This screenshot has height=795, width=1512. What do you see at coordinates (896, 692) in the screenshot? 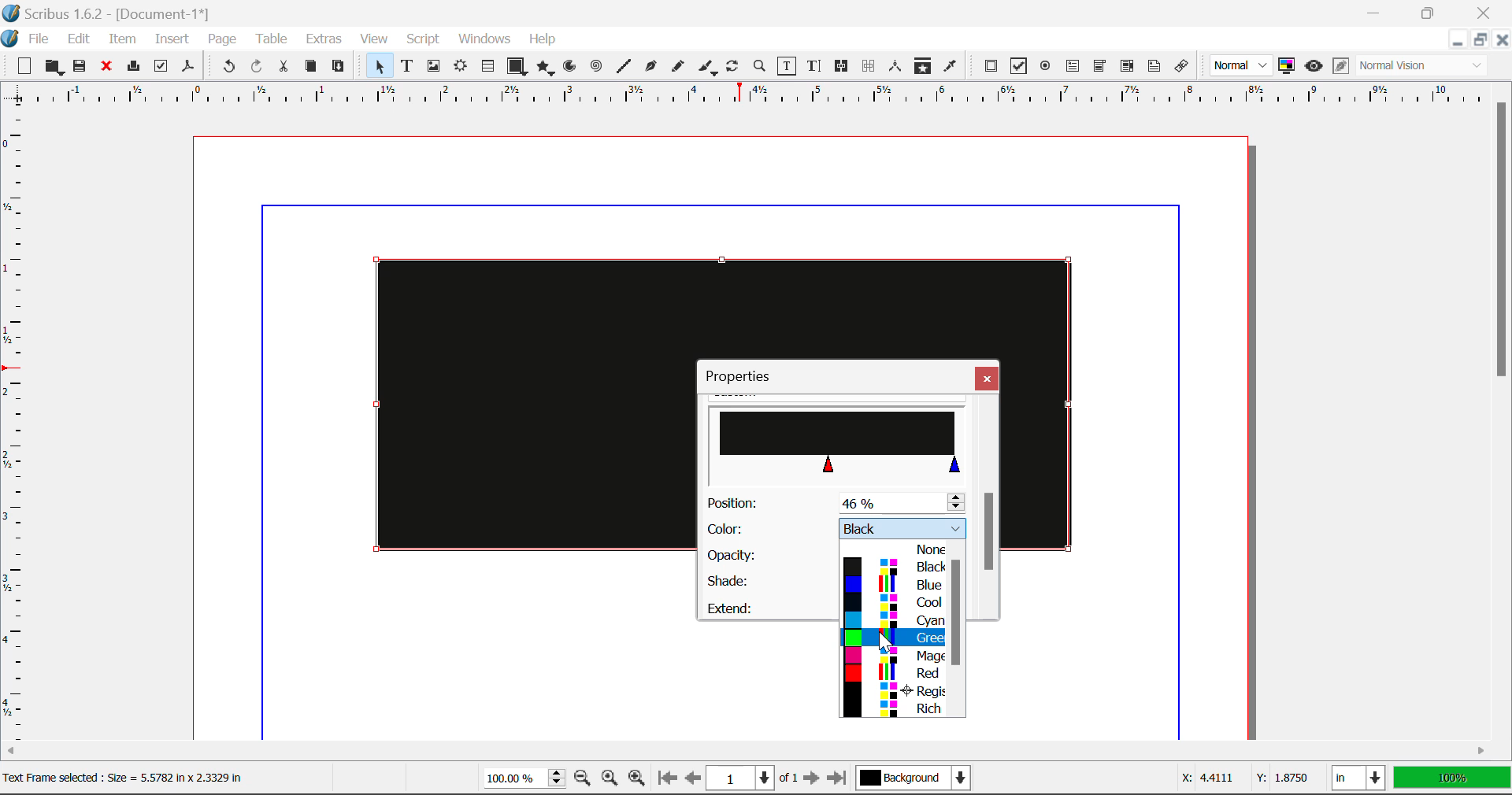
I see `Registration` at bounding box center [896, 692].